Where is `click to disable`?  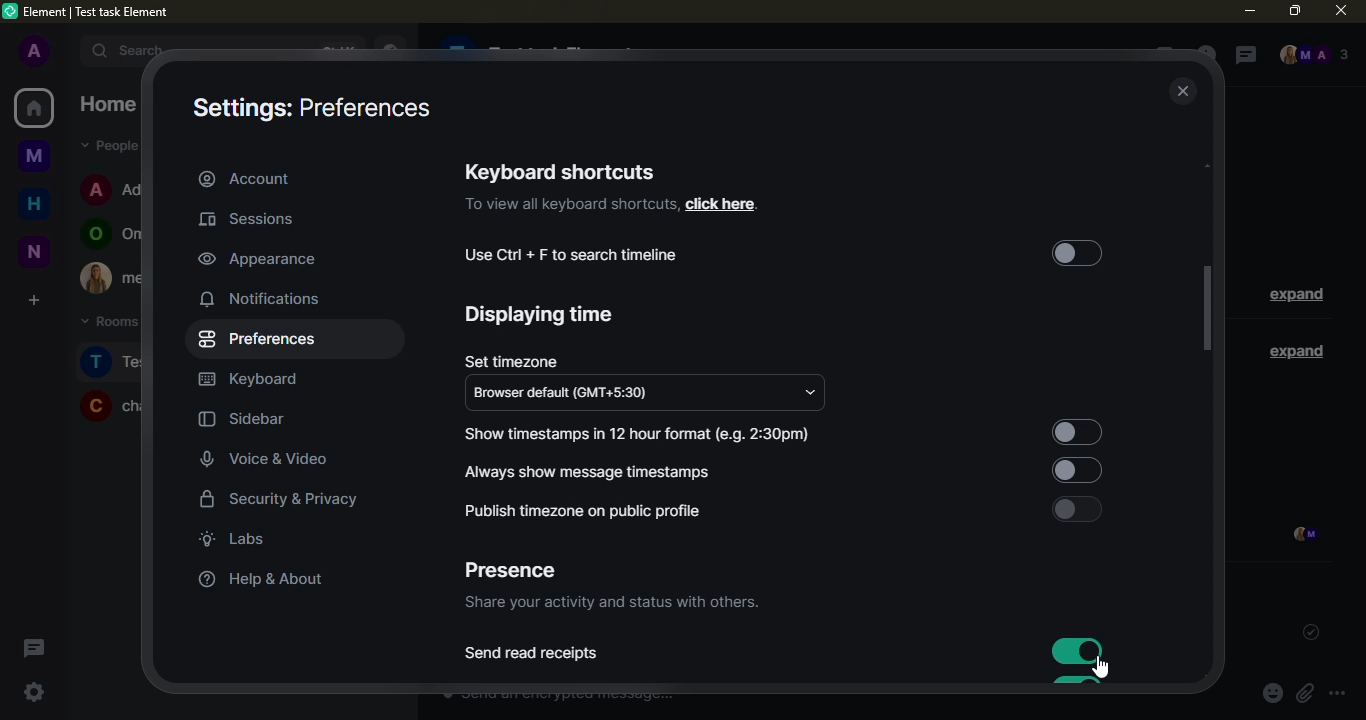
click to disable is located at coordinates (1075, 651).